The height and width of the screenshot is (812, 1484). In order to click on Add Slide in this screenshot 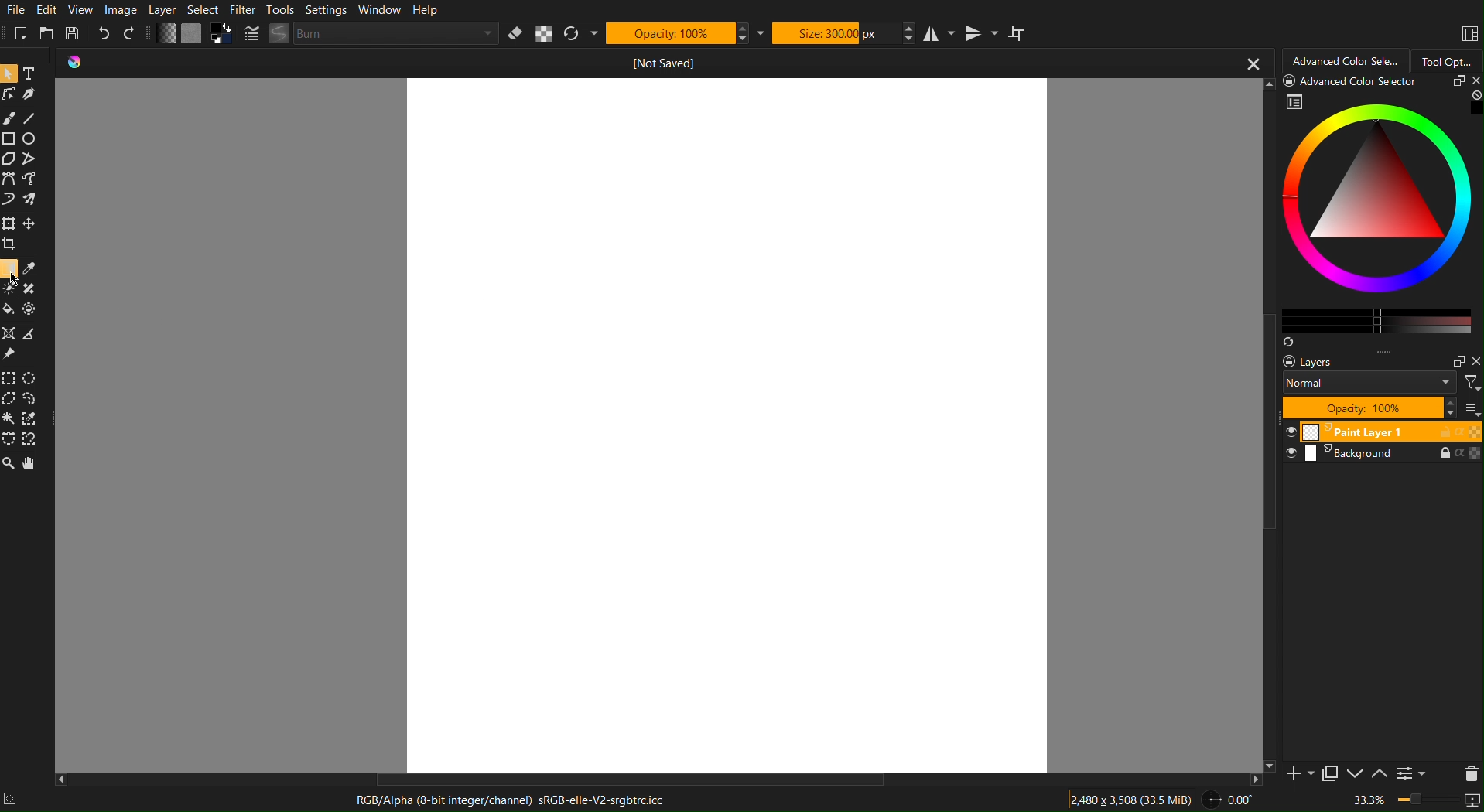, I will do `click(1301, 776)`.